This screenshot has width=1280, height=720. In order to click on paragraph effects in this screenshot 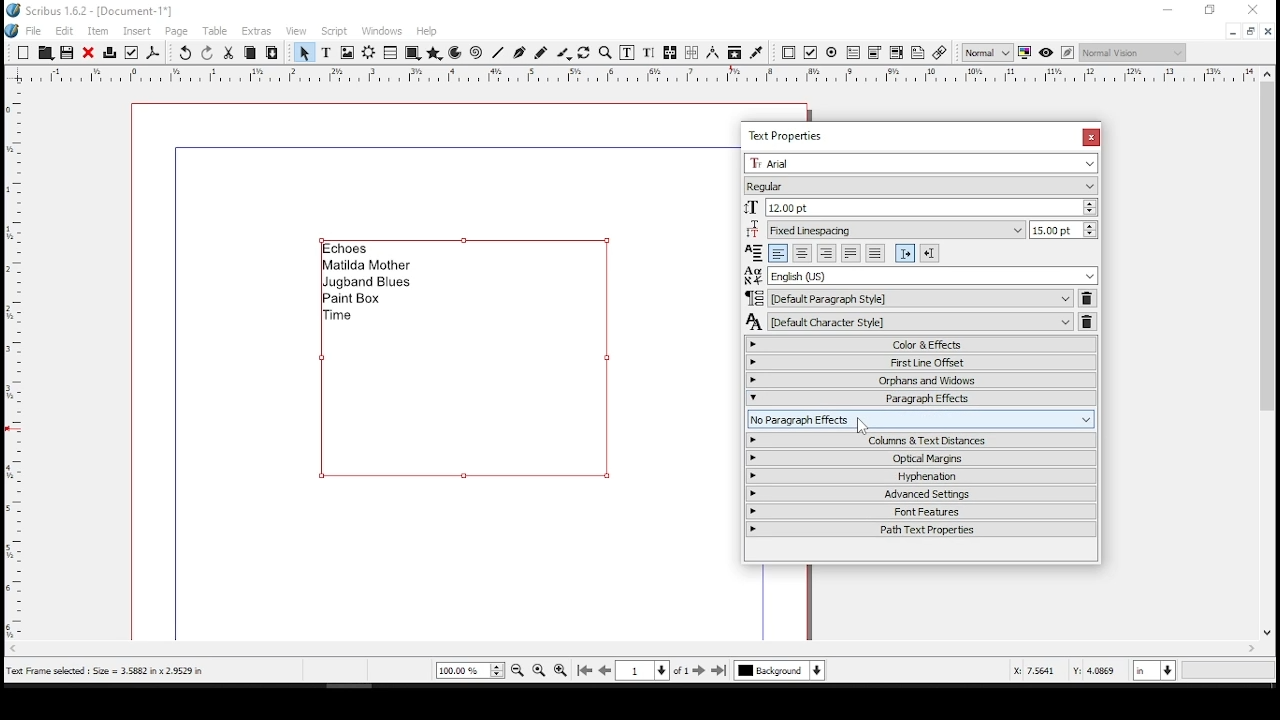, I will do `click(922, 398)`.